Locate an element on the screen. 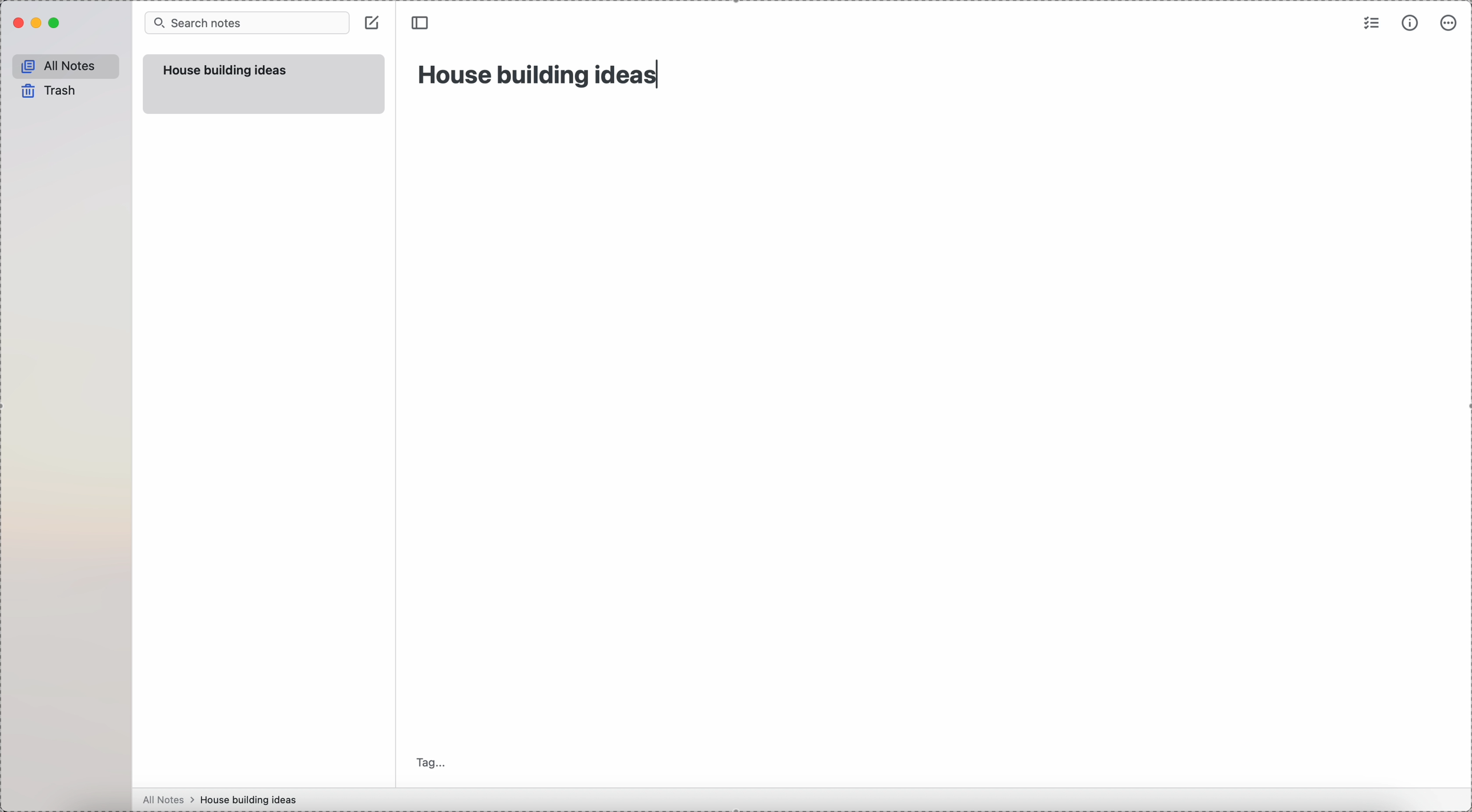  check list is located at coordinates (1370, 25).